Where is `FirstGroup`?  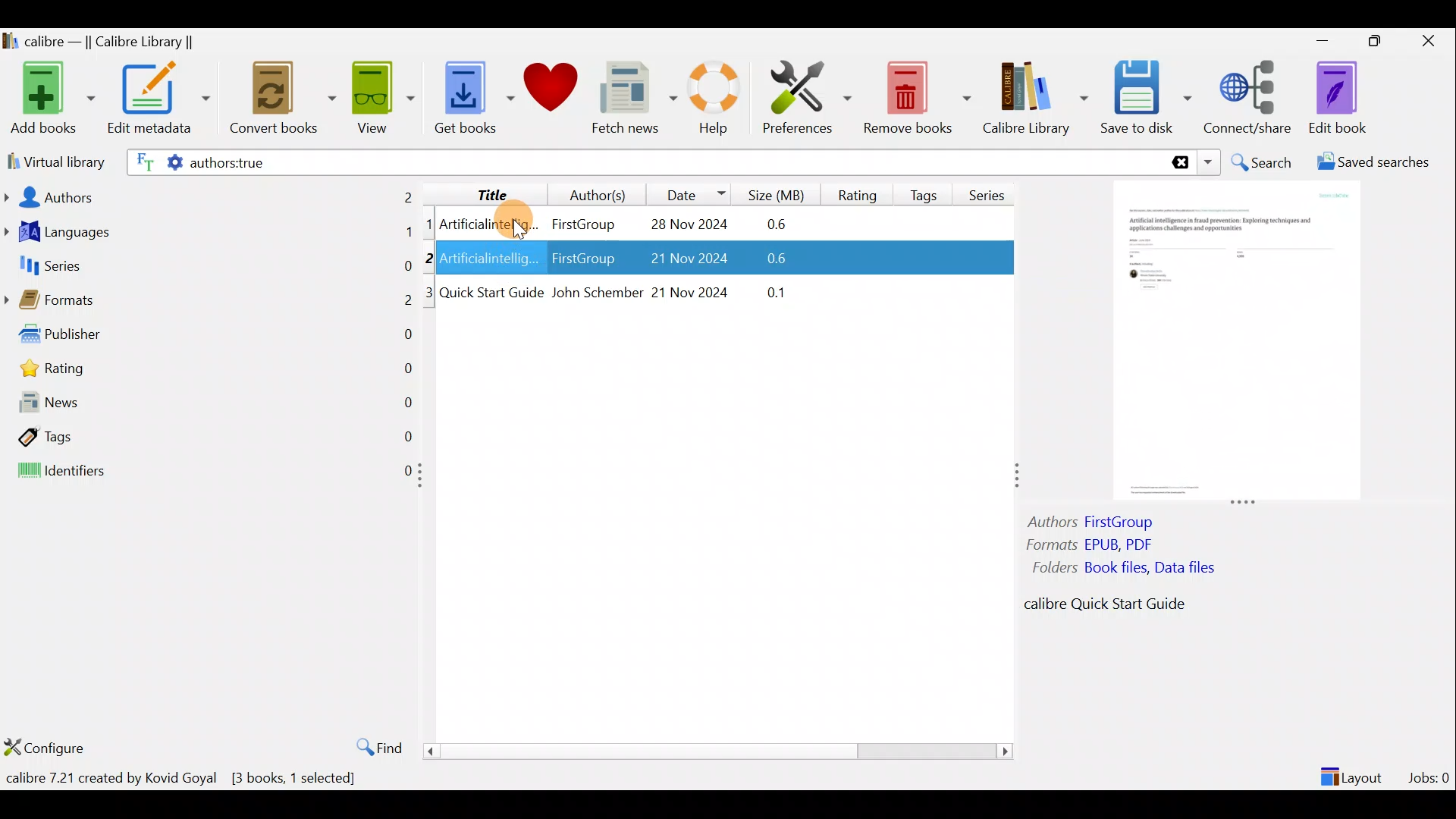 FirstGroup is located at coordinates (582, 260).